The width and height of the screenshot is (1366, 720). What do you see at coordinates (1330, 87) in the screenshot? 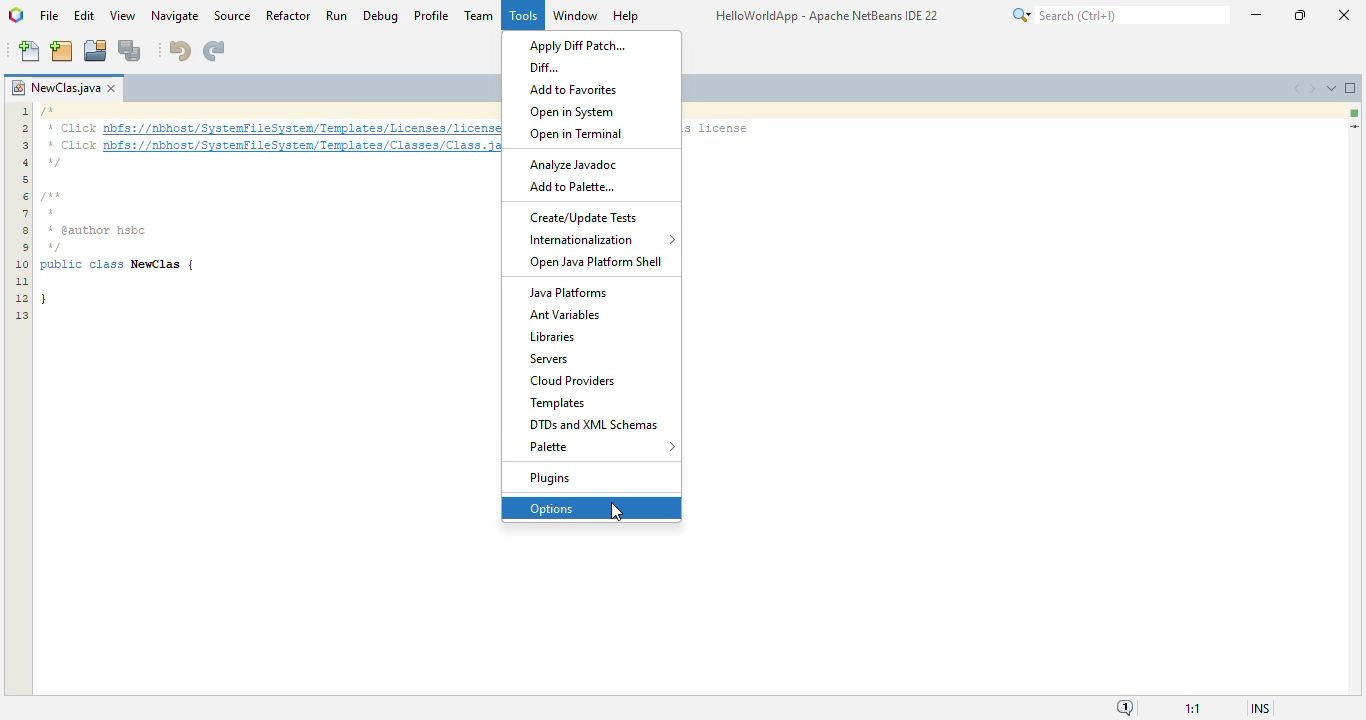
I see `show opened documents list` at bounding box center [1330, 87].